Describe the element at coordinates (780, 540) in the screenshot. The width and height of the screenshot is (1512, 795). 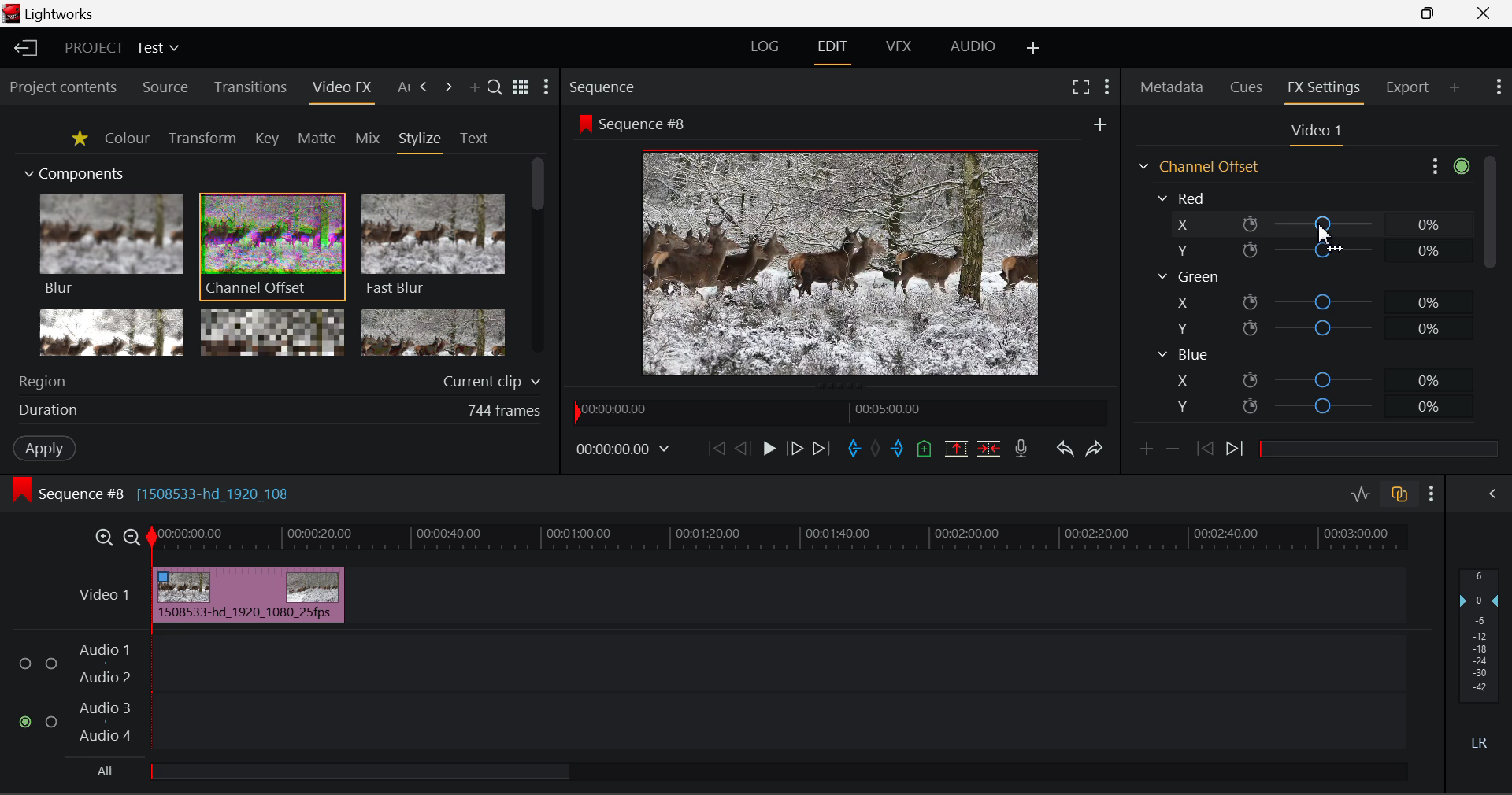
I see `Project Timeline Track` at that location.